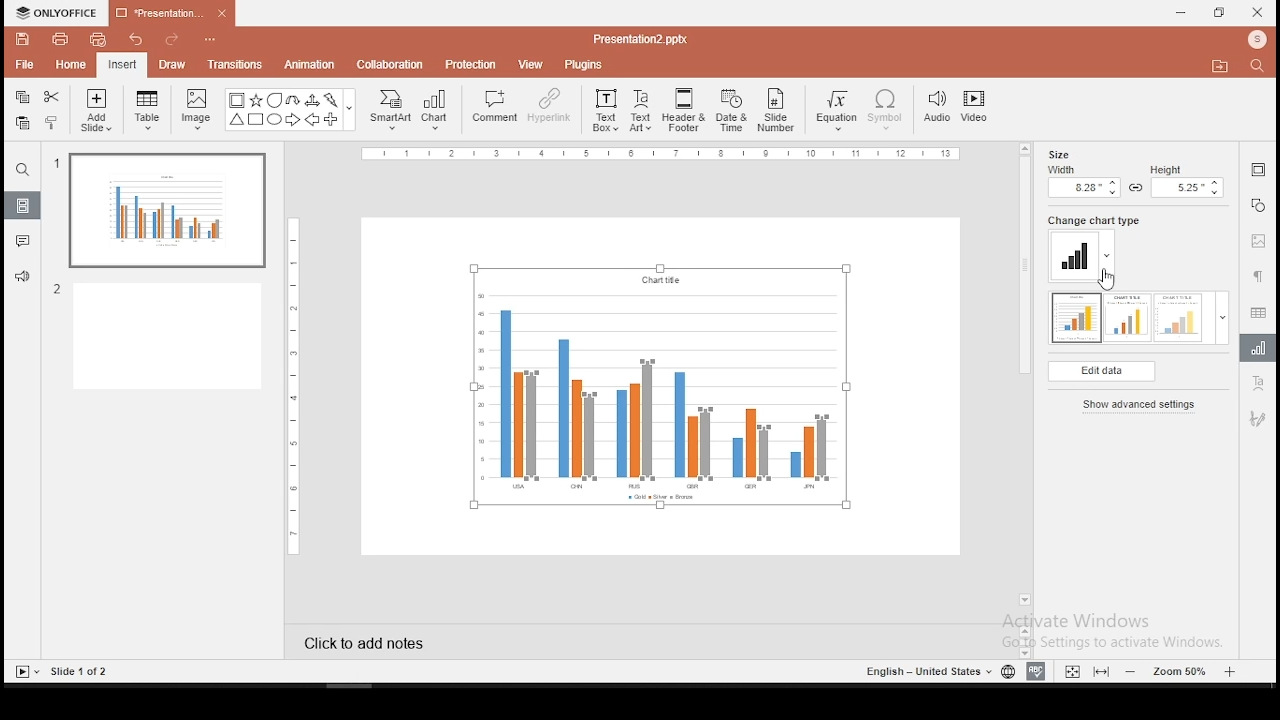 This screenshot has height=720, width=1280. Describe the element at coordinates (1258, 13) in the screenshot. I see `close window` at that location.